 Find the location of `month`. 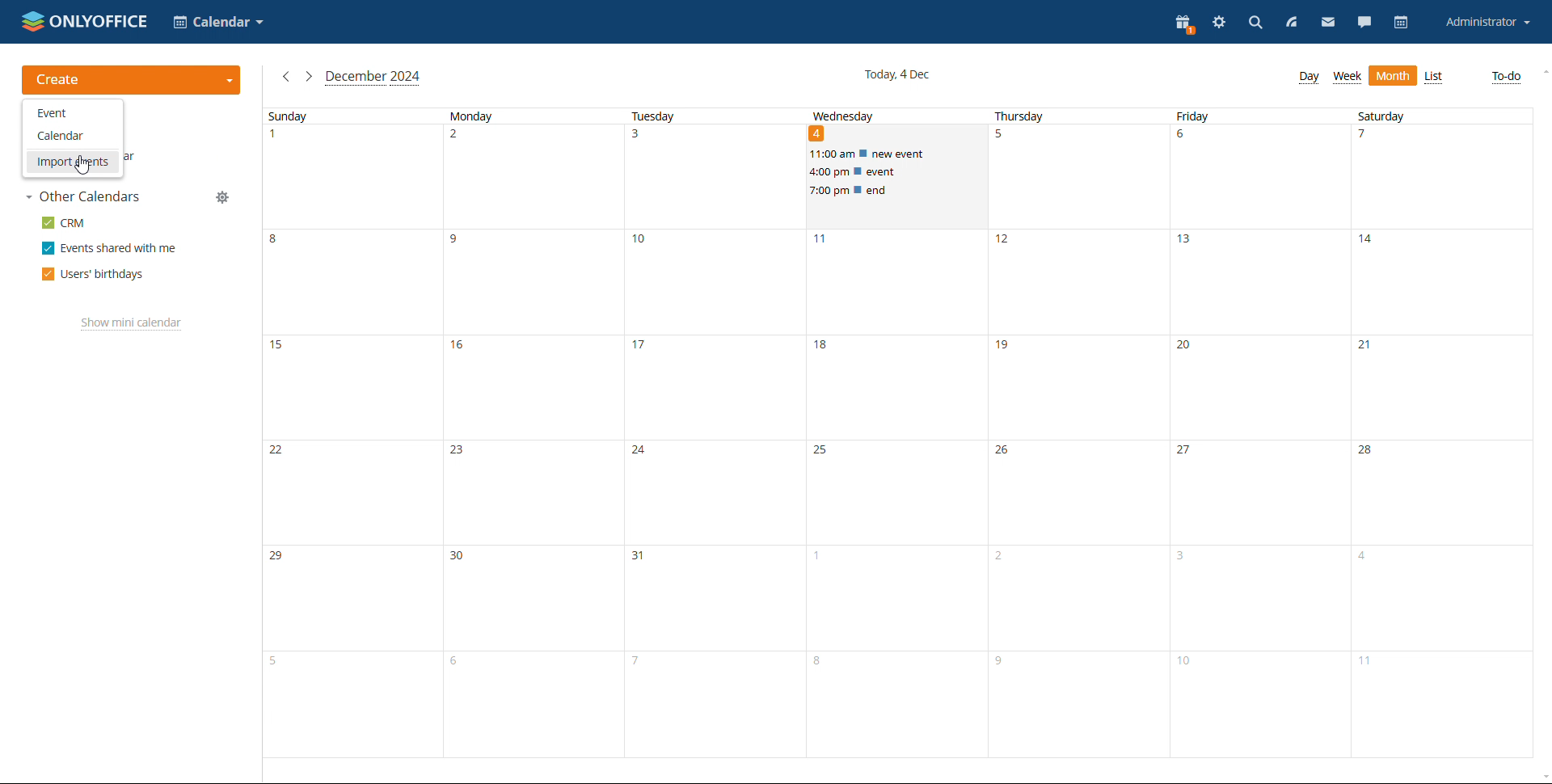

month is located at coordinates (1393, 76).